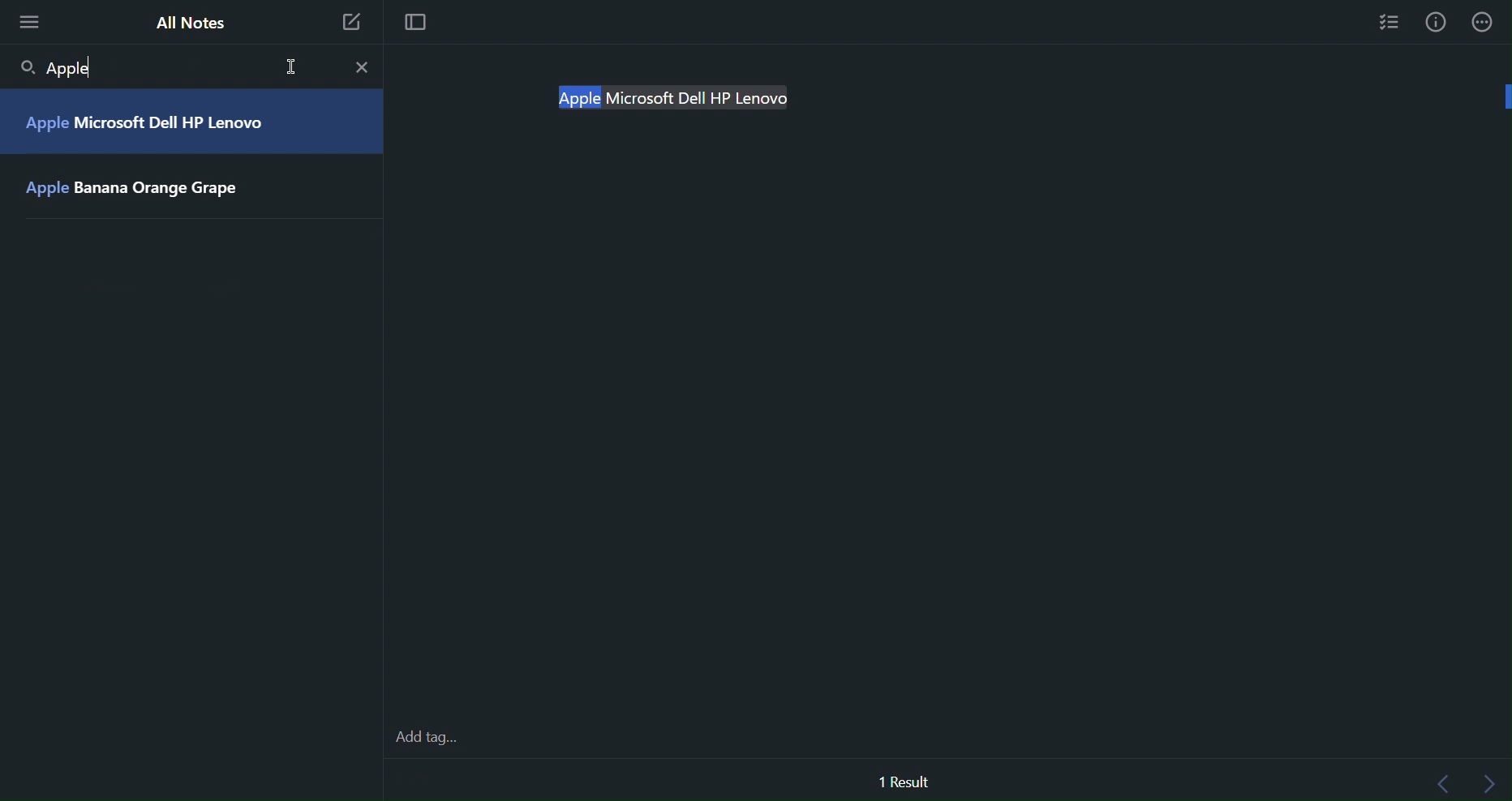  Describe the element at coordinates (700, 96) in the screenshot. I see `Microsoft Dell HP Lenovo` at that location.